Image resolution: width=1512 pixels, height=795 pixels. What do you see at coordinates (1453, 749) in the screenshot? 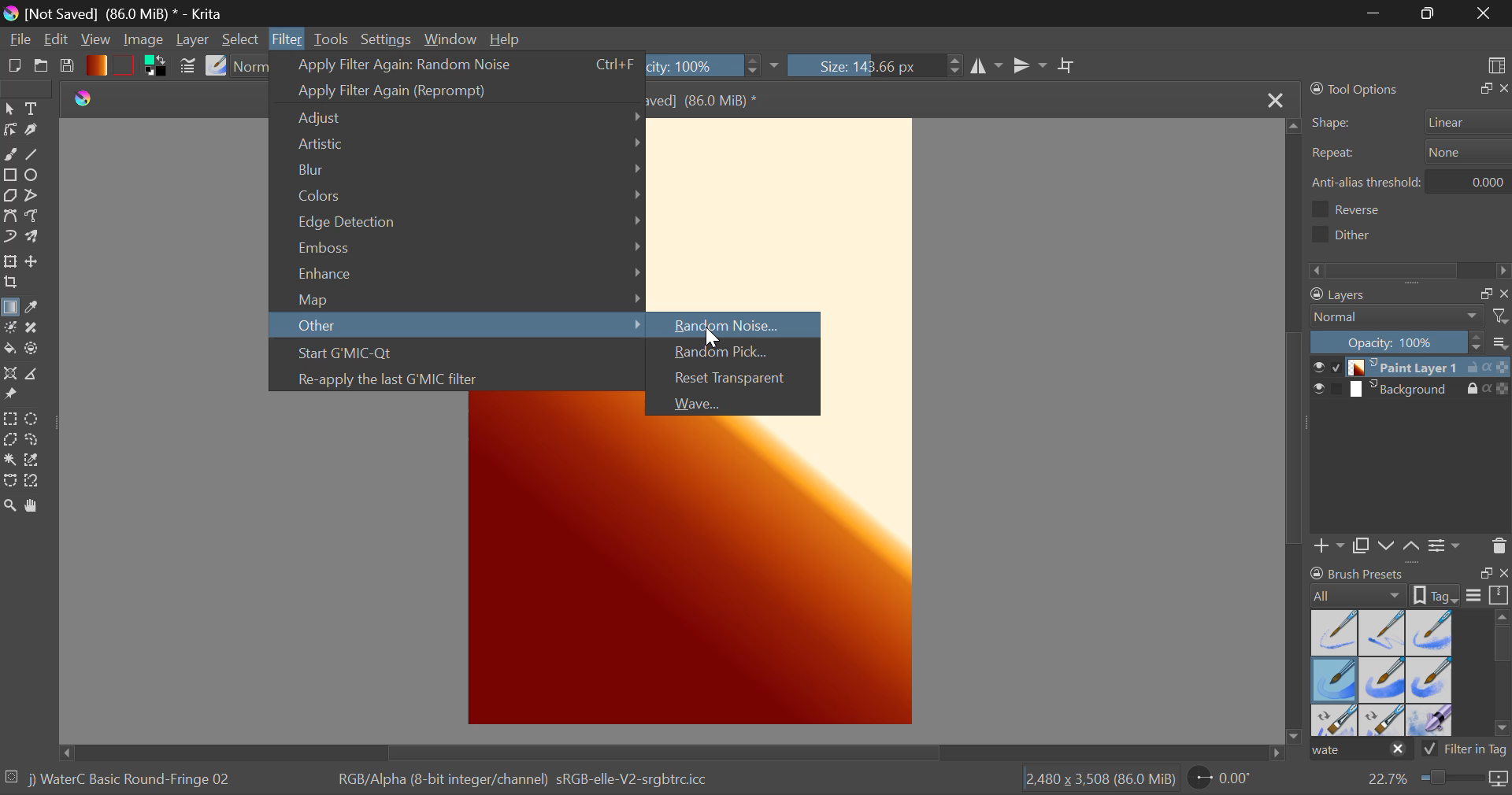
I see `tag filter` at bounding box center [1453, 749].